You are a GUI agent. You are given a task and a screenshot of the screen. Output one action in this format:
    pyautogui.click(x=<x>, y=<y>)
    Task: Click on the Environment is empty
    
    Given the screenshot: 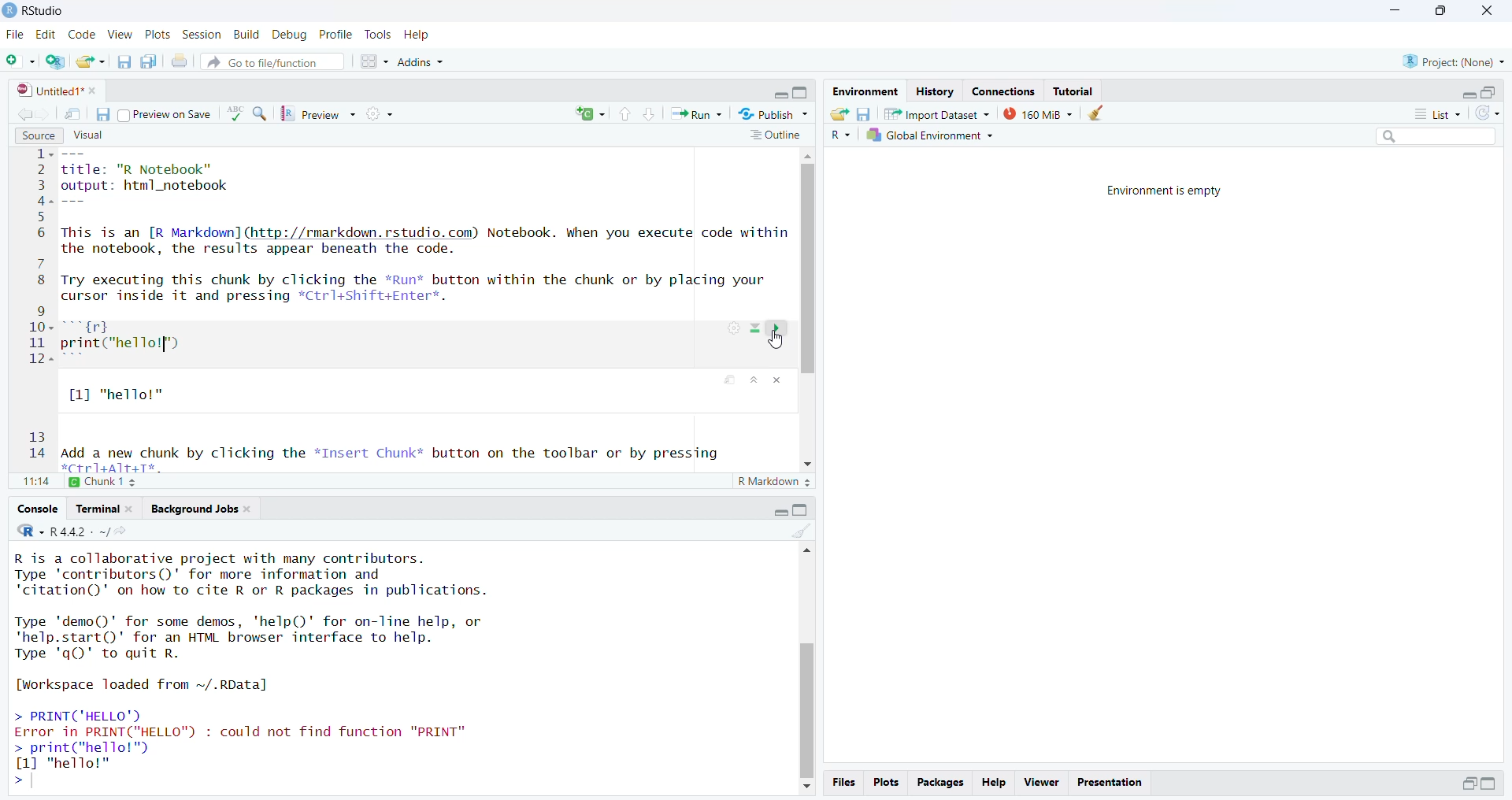 What is the action you would take?
    pyautogui.click(x=1166, y=192)
    